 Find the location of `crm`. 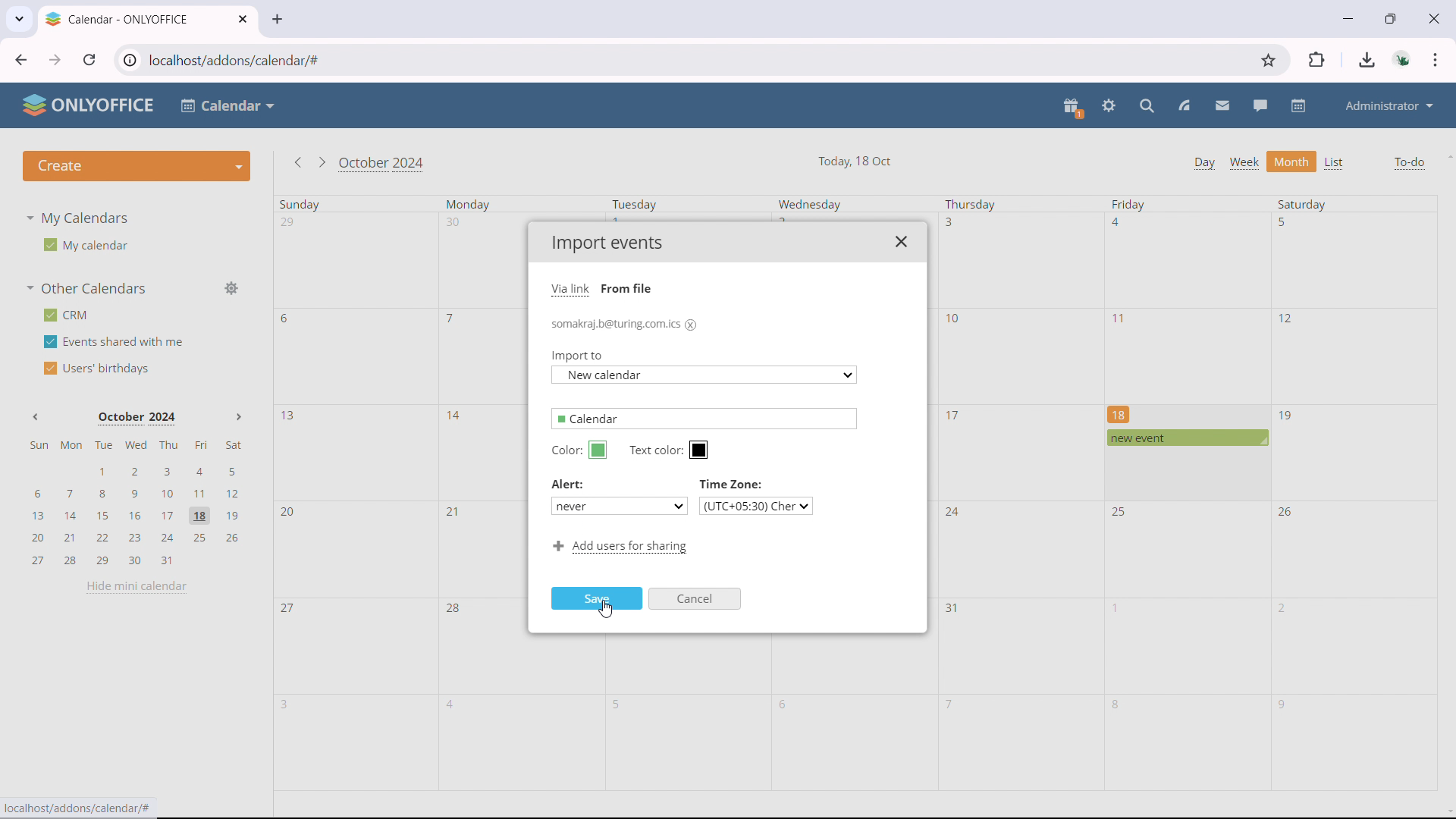

crm is located at coordinates (66, 315).